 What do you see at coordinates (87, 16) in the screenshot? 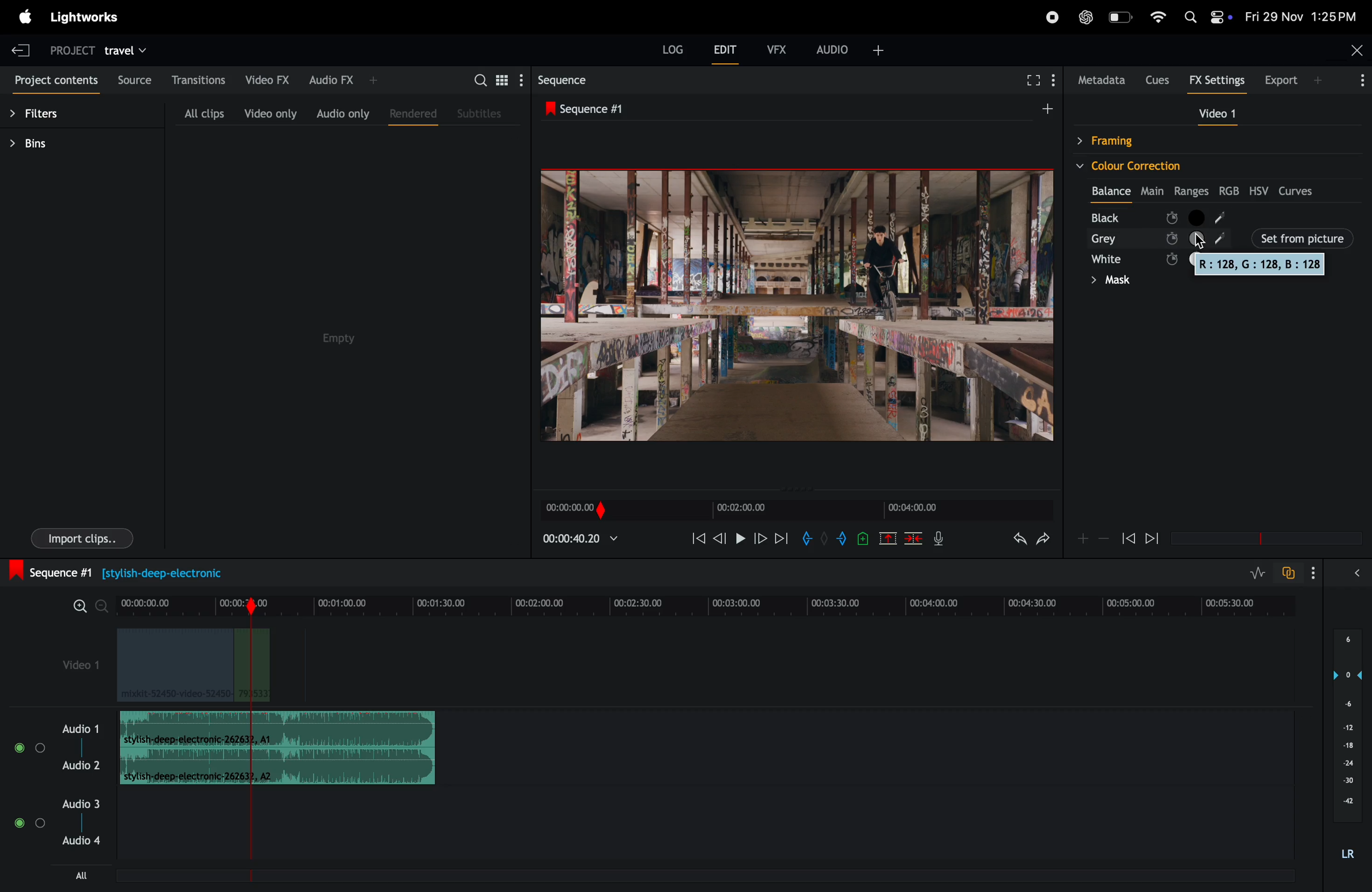
I see `light works menu` at bounding box center [87, 16].